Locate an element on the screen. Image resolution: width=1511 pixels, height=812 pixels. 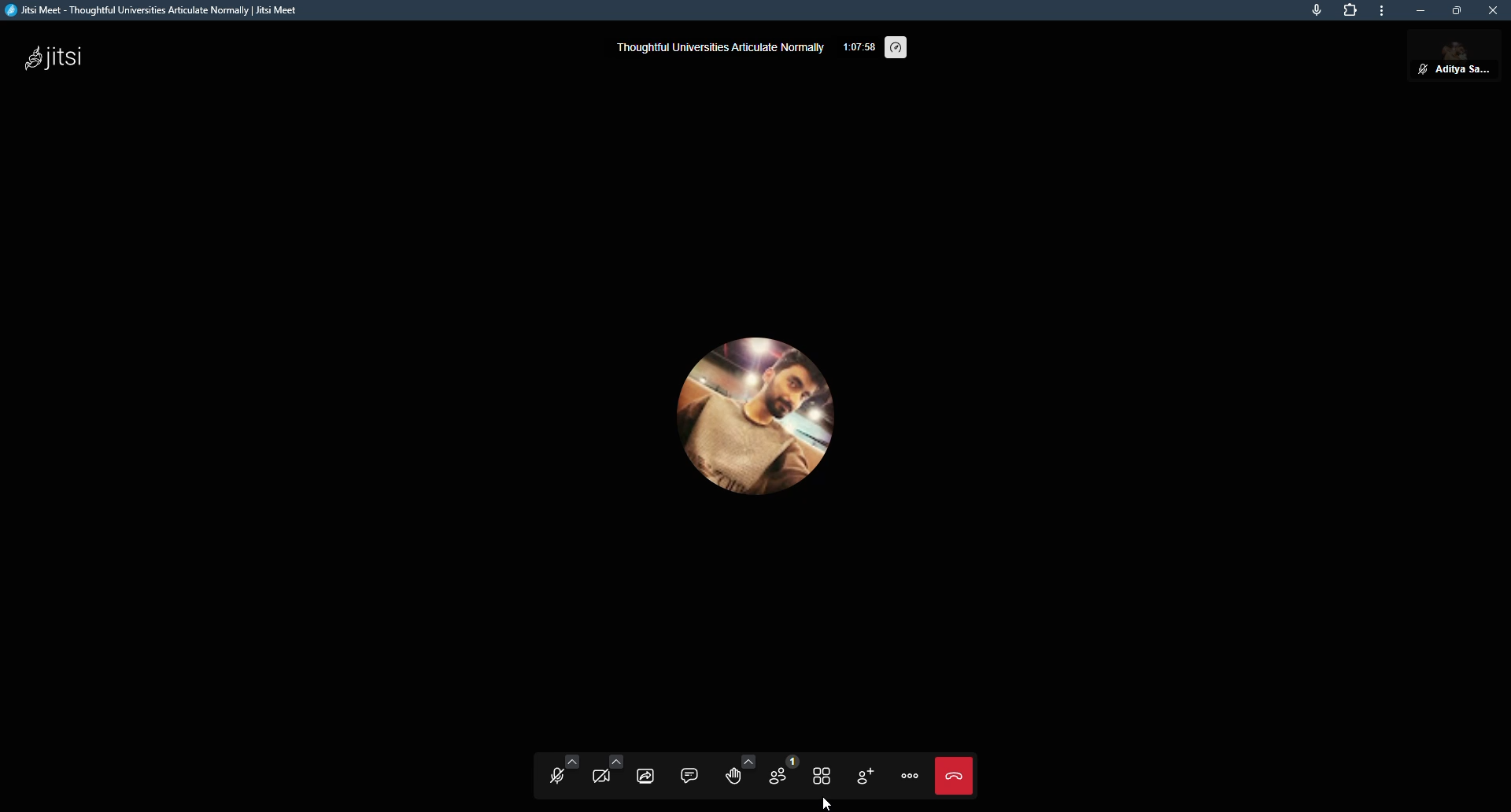
profile picture is located at coordinates (738, 409).